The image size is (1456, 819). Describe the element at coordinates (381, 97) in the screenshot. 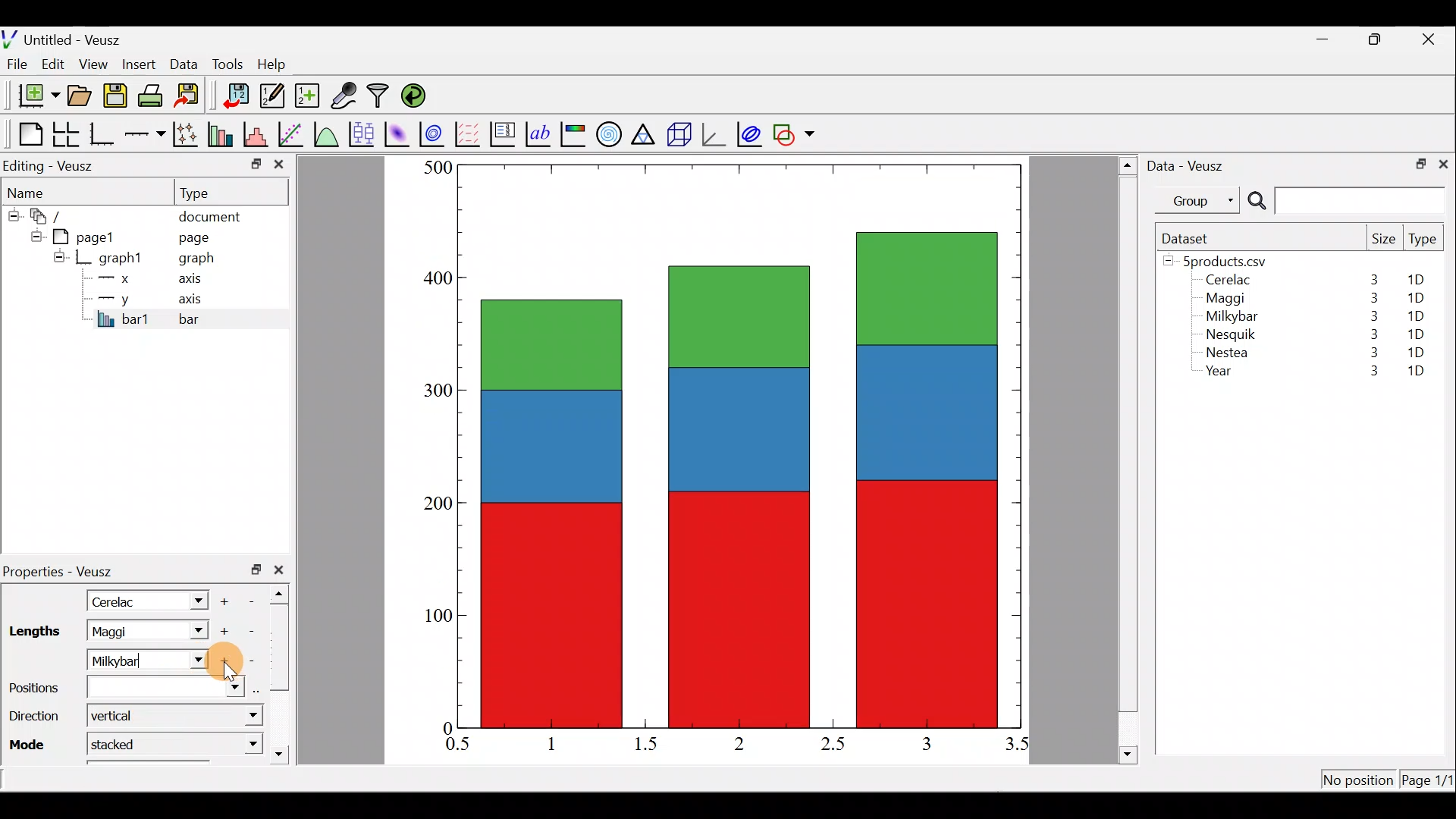

I see `Filter data` at that location.